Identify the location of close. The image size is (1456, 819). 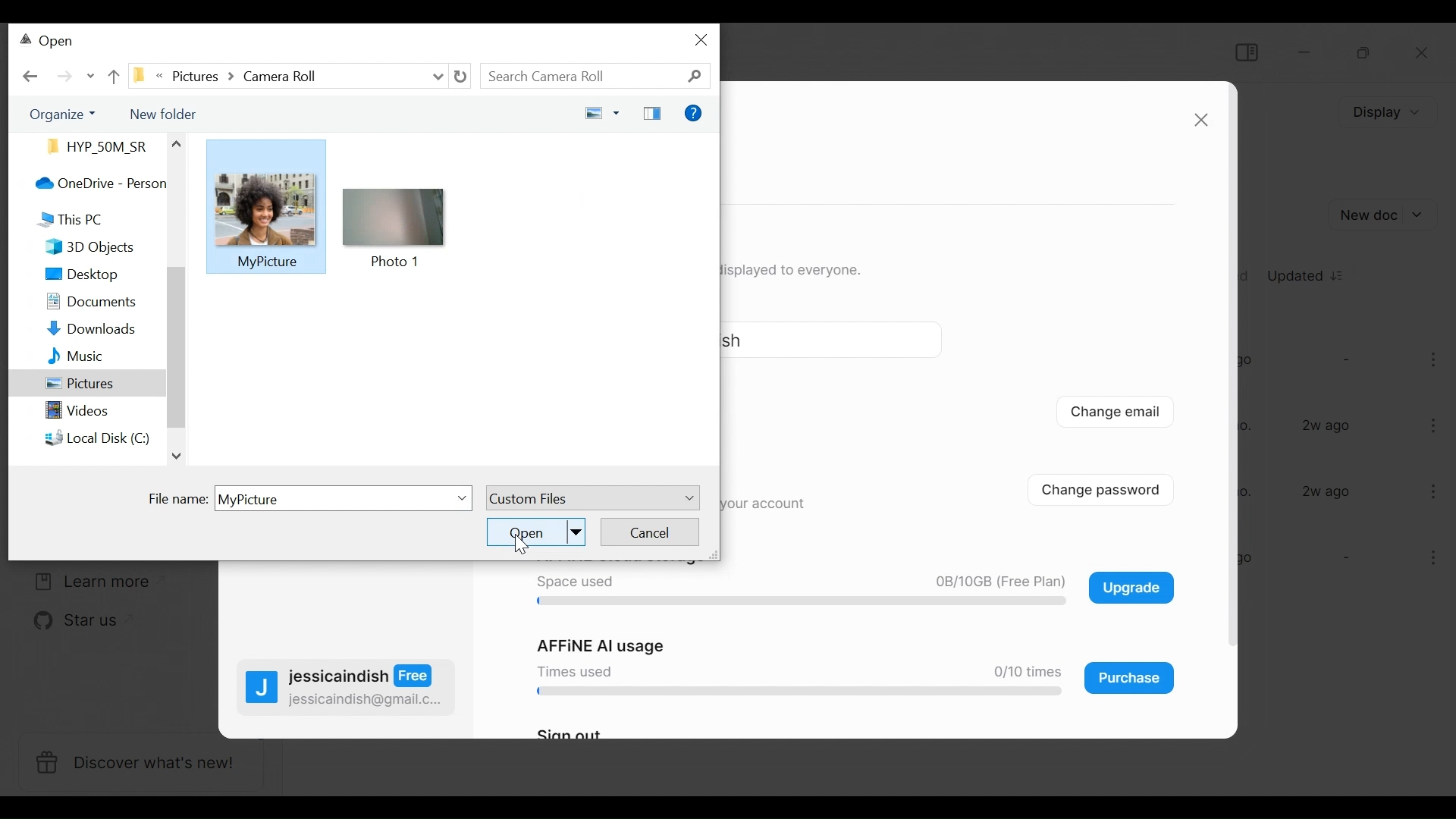
(703, 39).